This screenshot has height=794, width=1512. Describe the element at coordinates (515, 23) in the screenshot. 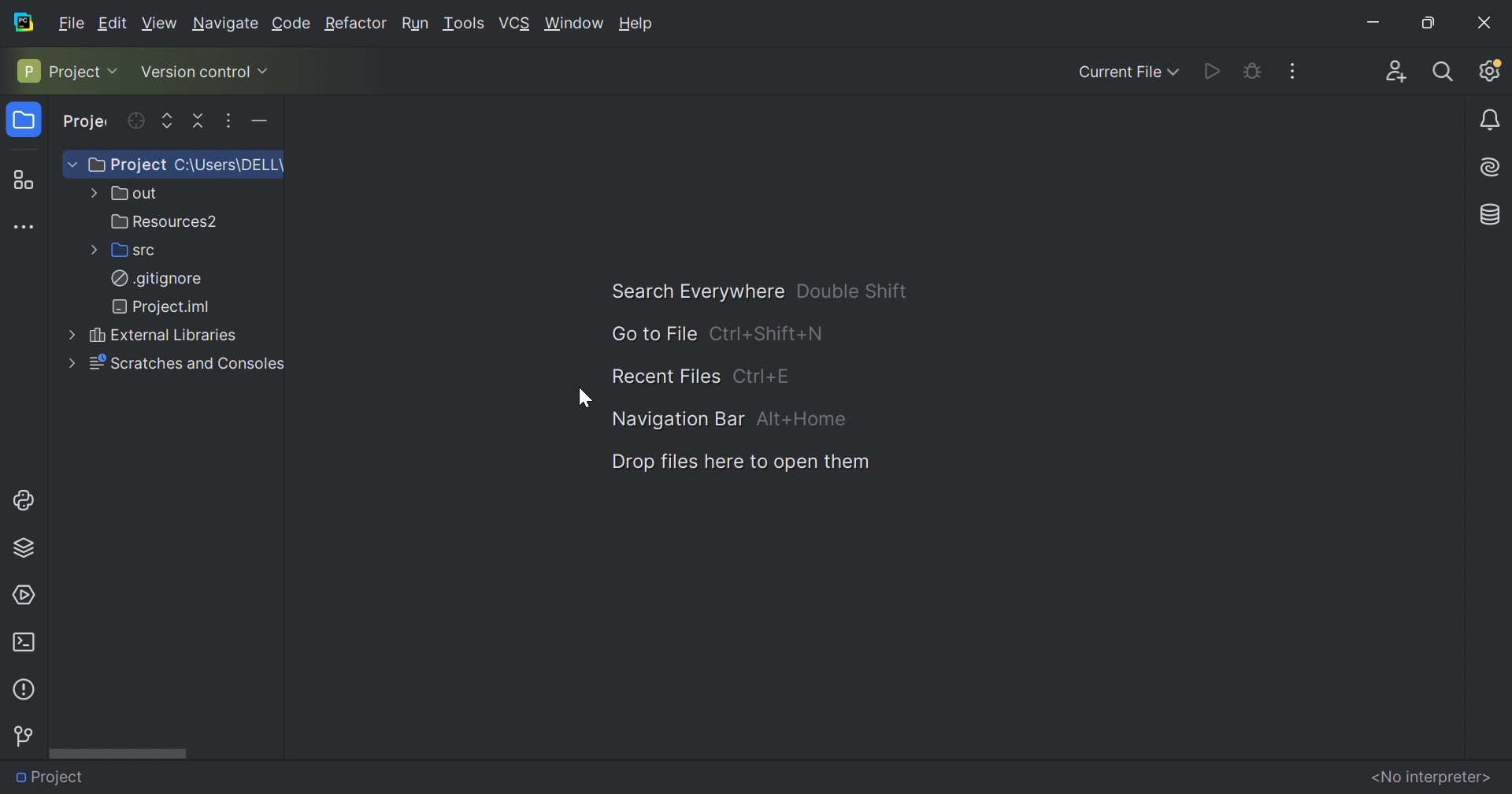

I see `VCS` at that location.